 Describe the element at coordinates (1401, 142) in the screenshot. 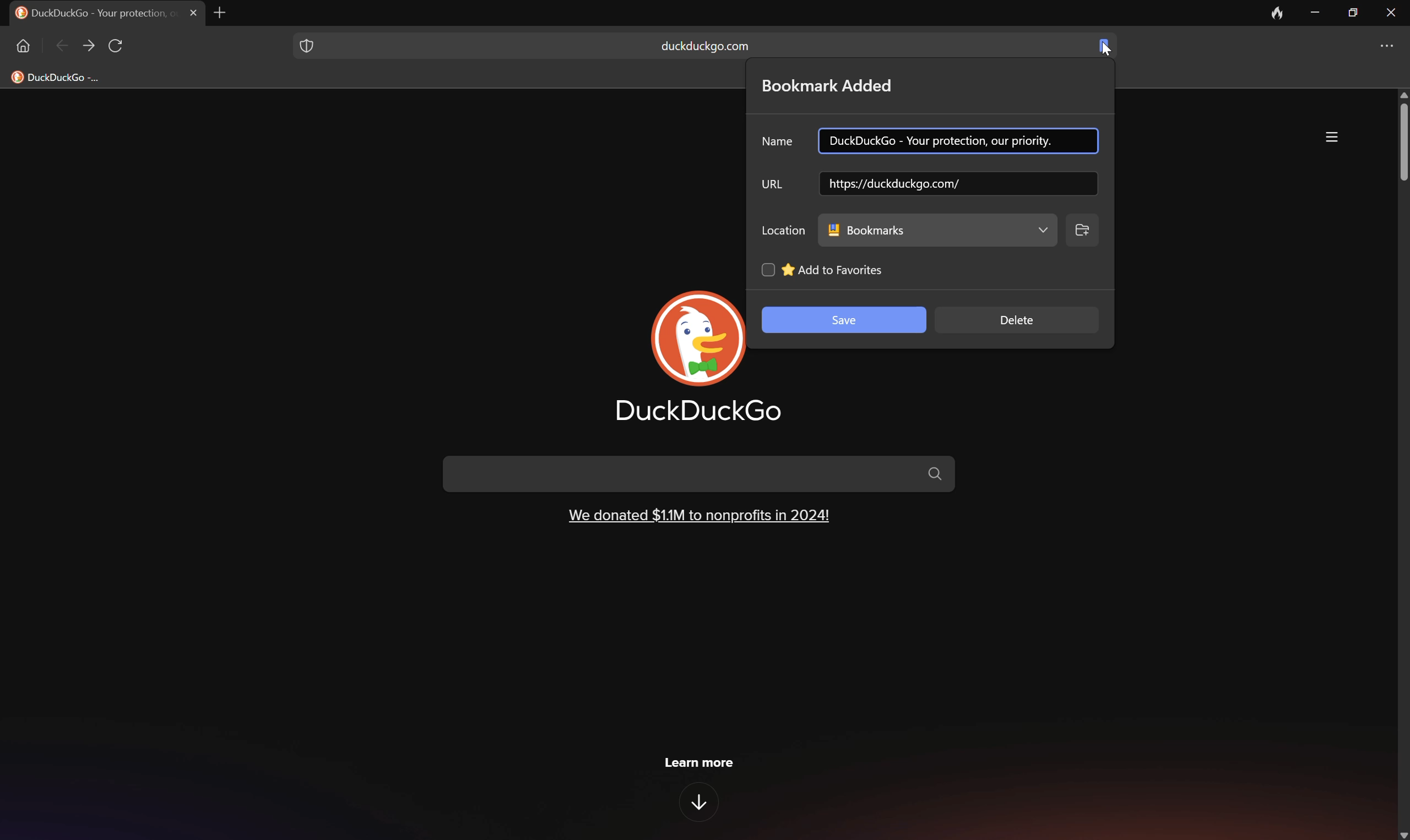

I see `Scroll Bar` at that location.